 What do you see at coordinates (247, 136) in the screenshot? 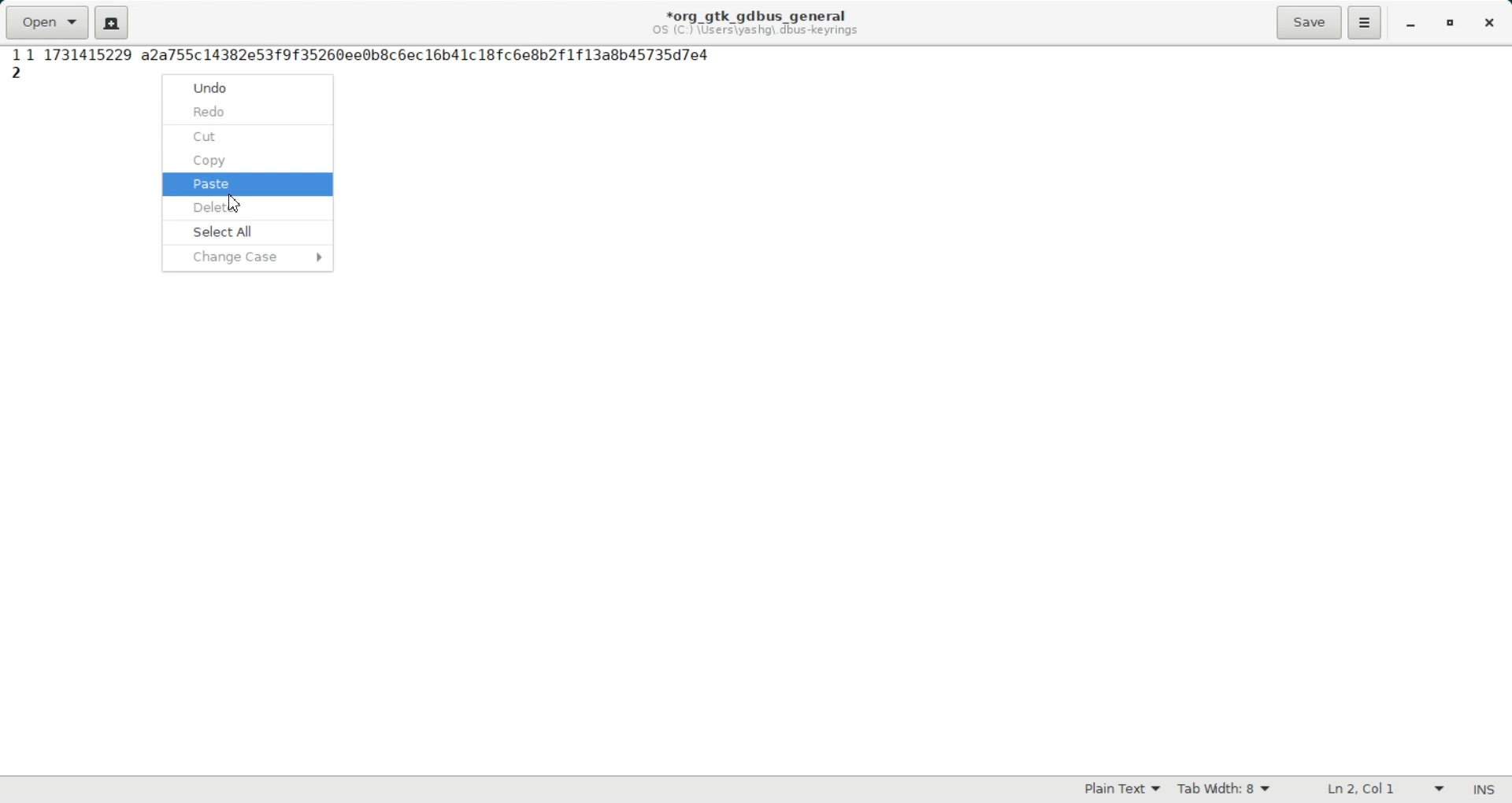
I see `cut` at bounding box center [247, 136].